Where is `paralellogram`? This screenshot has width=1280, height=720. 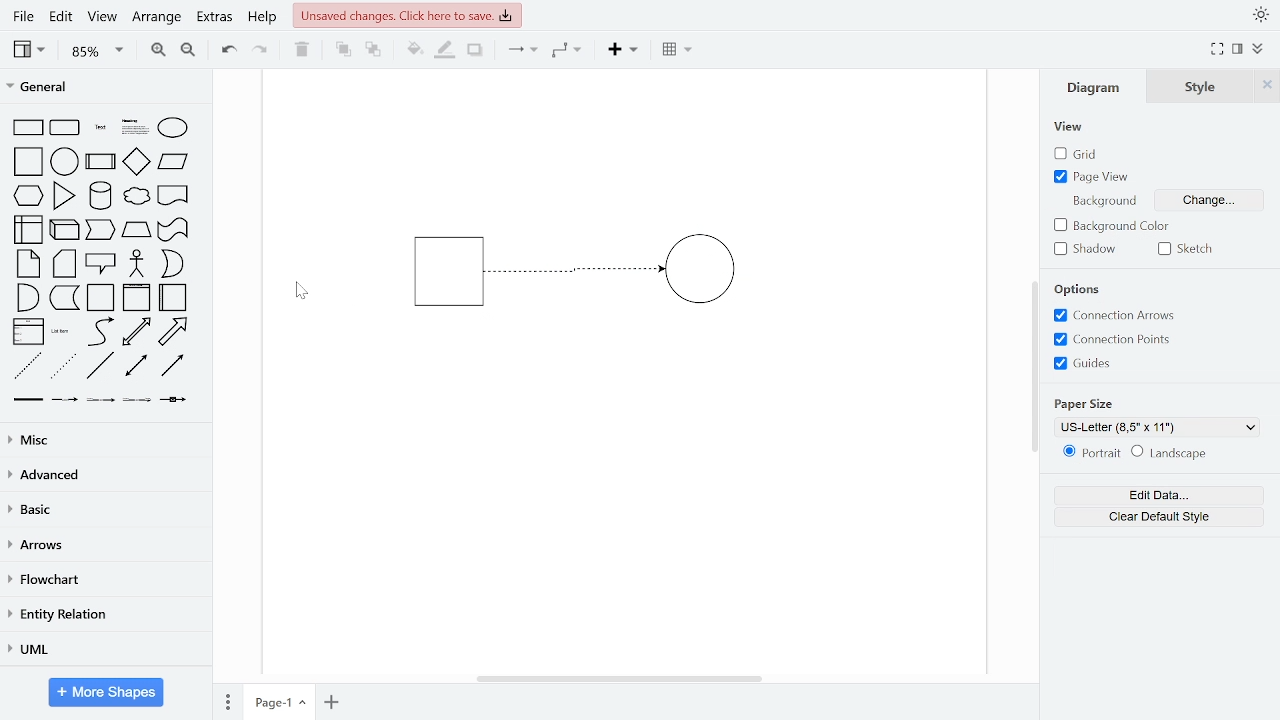
paralellogram is located at coordinates (173, 161).